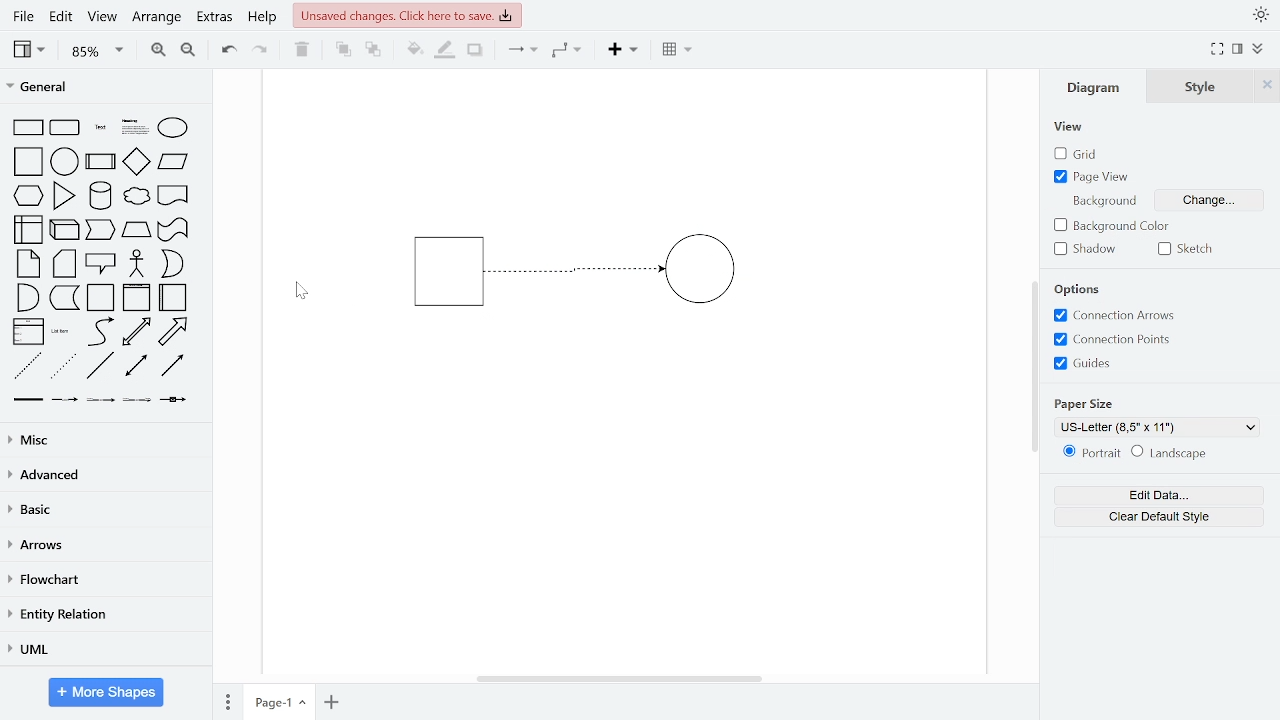 Image resolution: width=1280 pixels, height=720 pixels. What do you see at coordinates (139, 401) in the screenshot?
I see `connector with 3 labels` at bounding box center [139, 401].